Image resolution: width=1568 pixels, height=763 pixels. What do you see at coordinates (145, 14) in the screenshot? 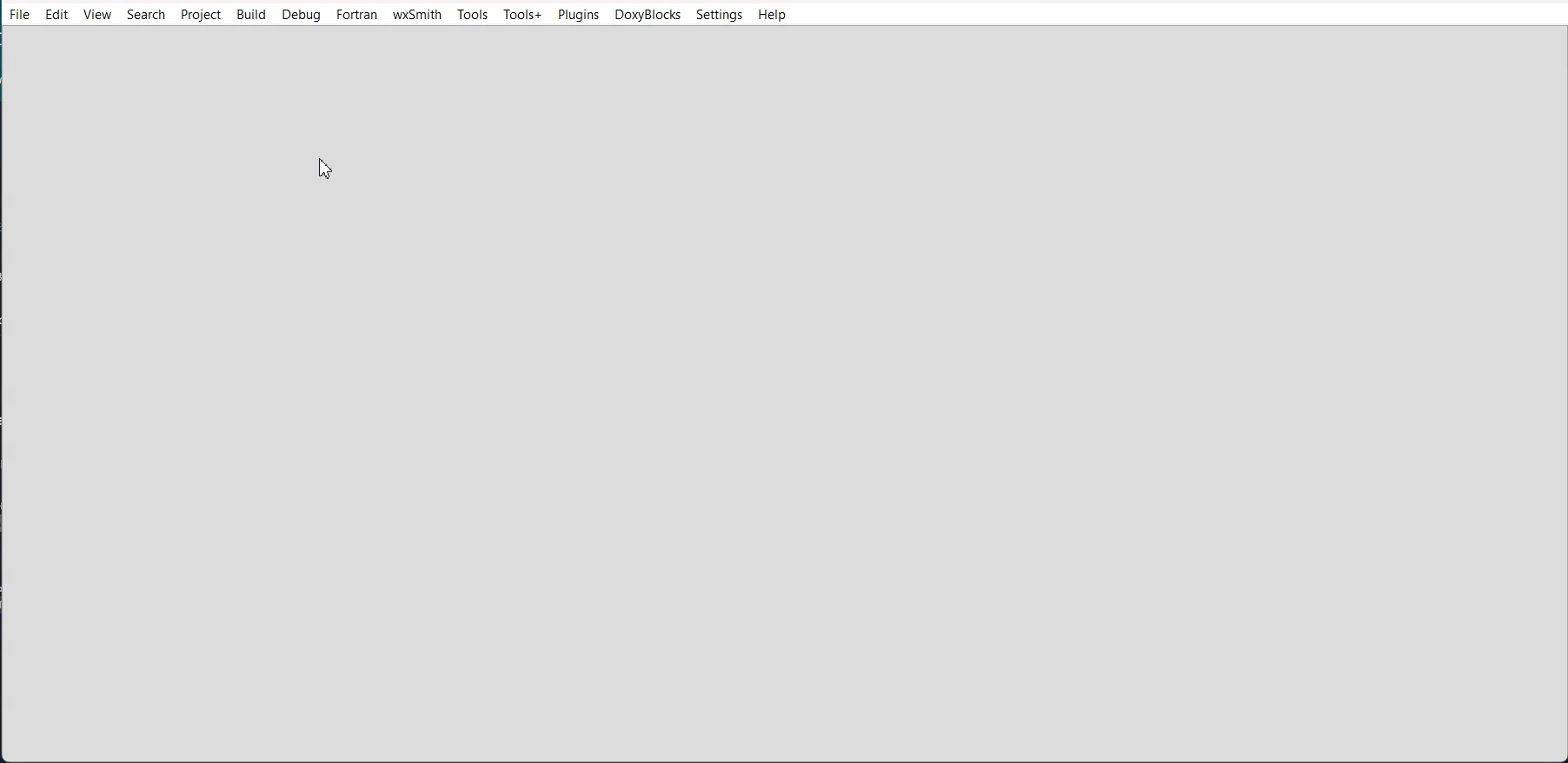
I see `Search` at bounding box center [145, 14].